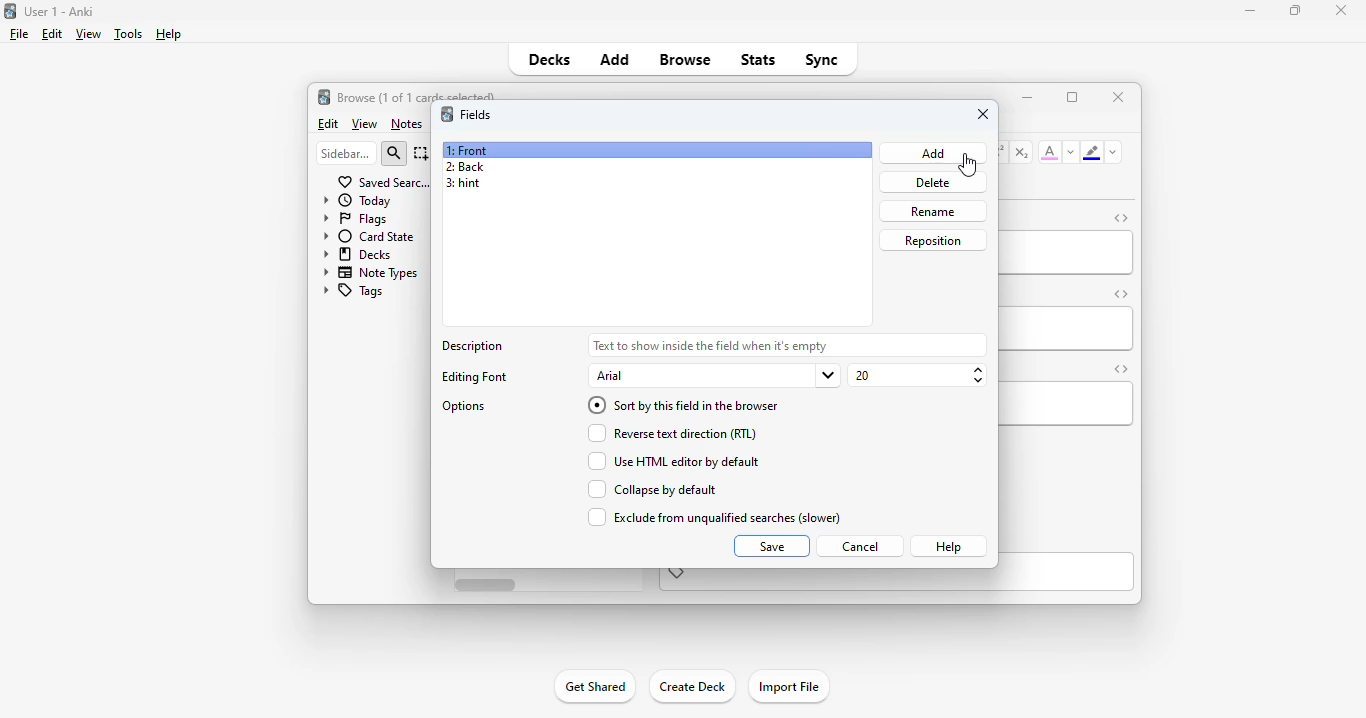  I want to click on arial, so click(714, 376).